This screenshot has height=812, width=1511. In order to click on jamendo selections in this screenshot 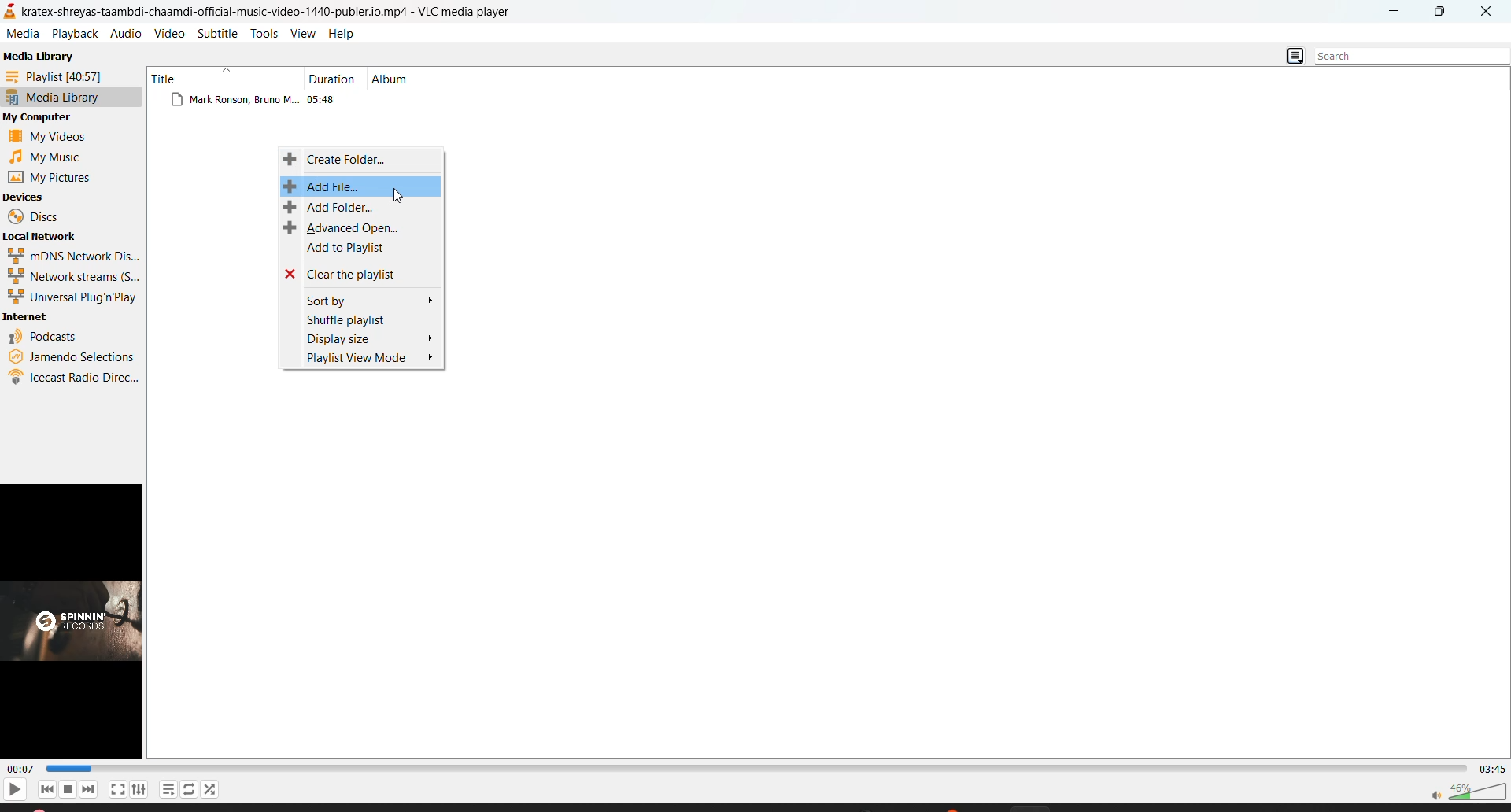, I will do `click(70, 356)`.